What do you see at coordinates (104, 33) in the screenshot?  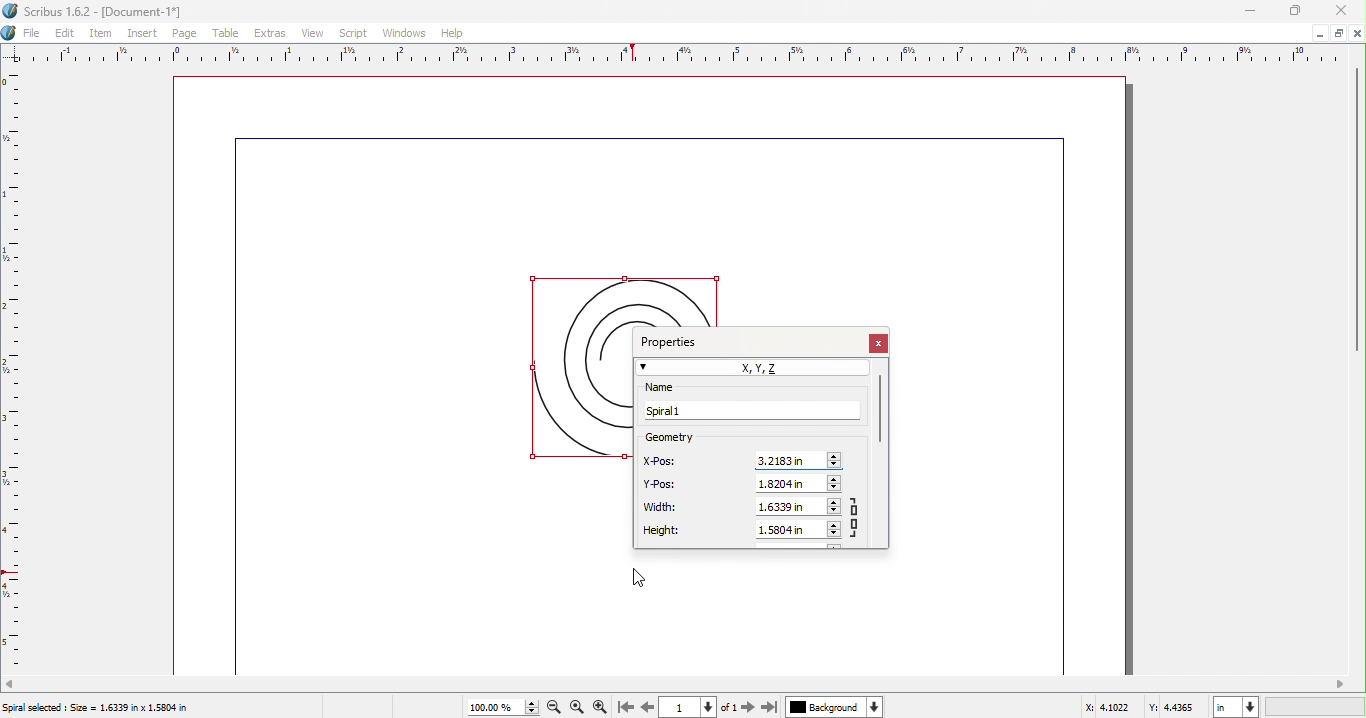 I see `Item` at bounding box center [104, 33].